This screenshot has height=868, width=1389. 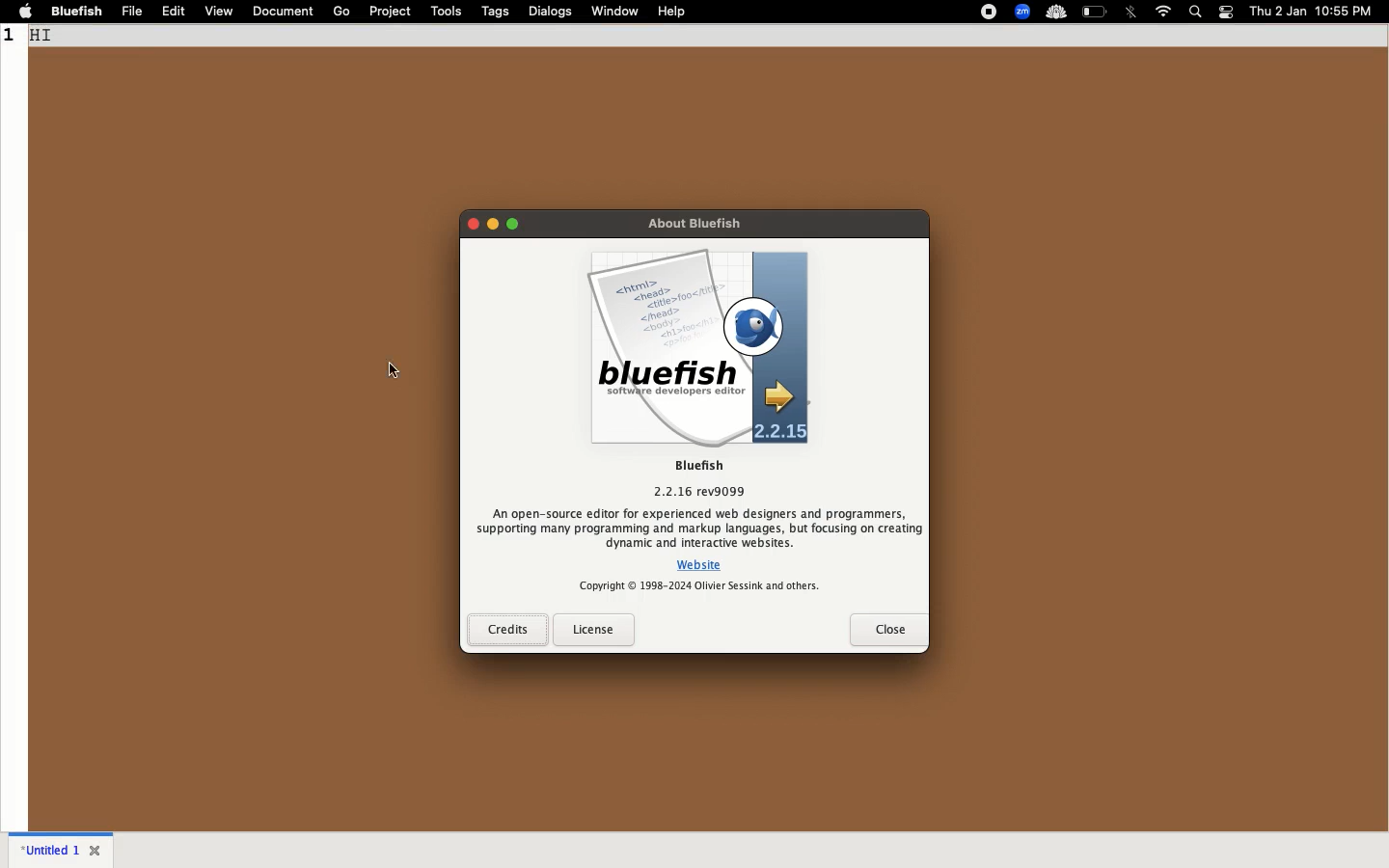 What do you see at coordinates (447, 10) in the screenshot?
I see `tools` at bounding box center [447, 10].